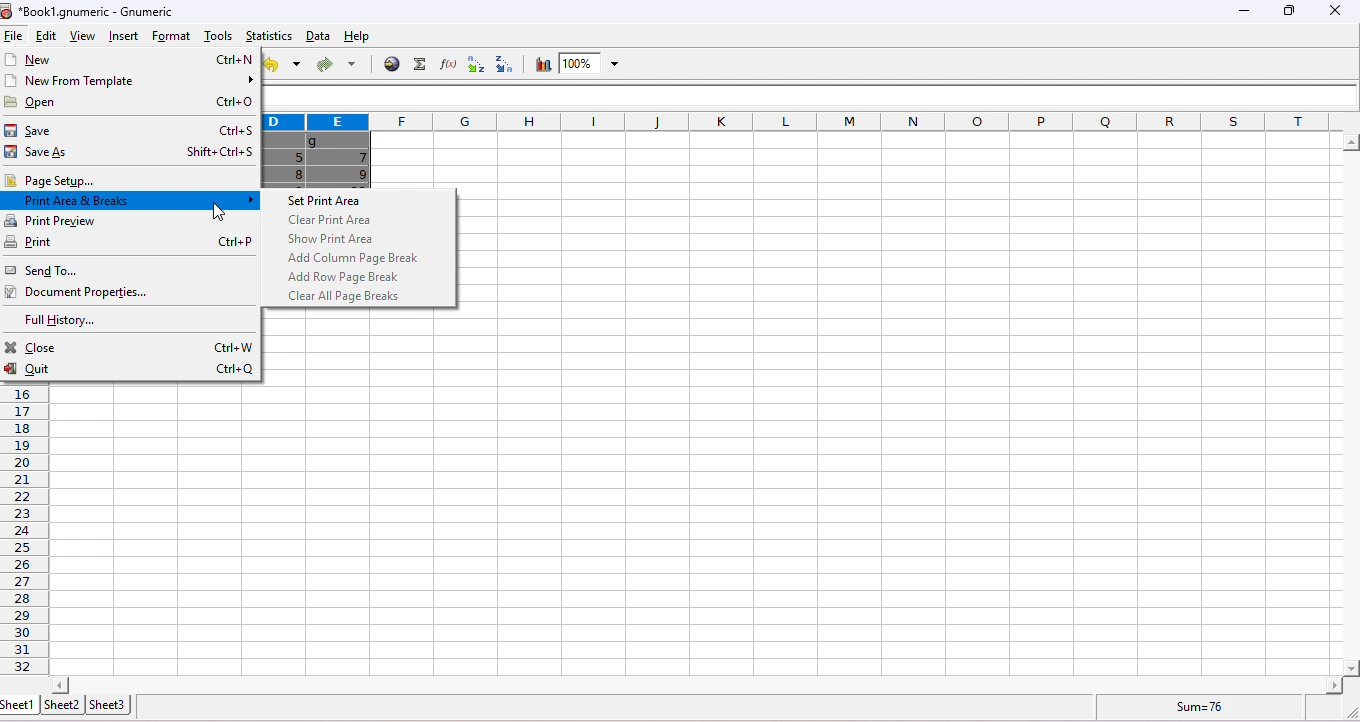  What do you see at coordinates (335, 66) in the screenshot?
I see `redo` at bounding box center [335, 66].